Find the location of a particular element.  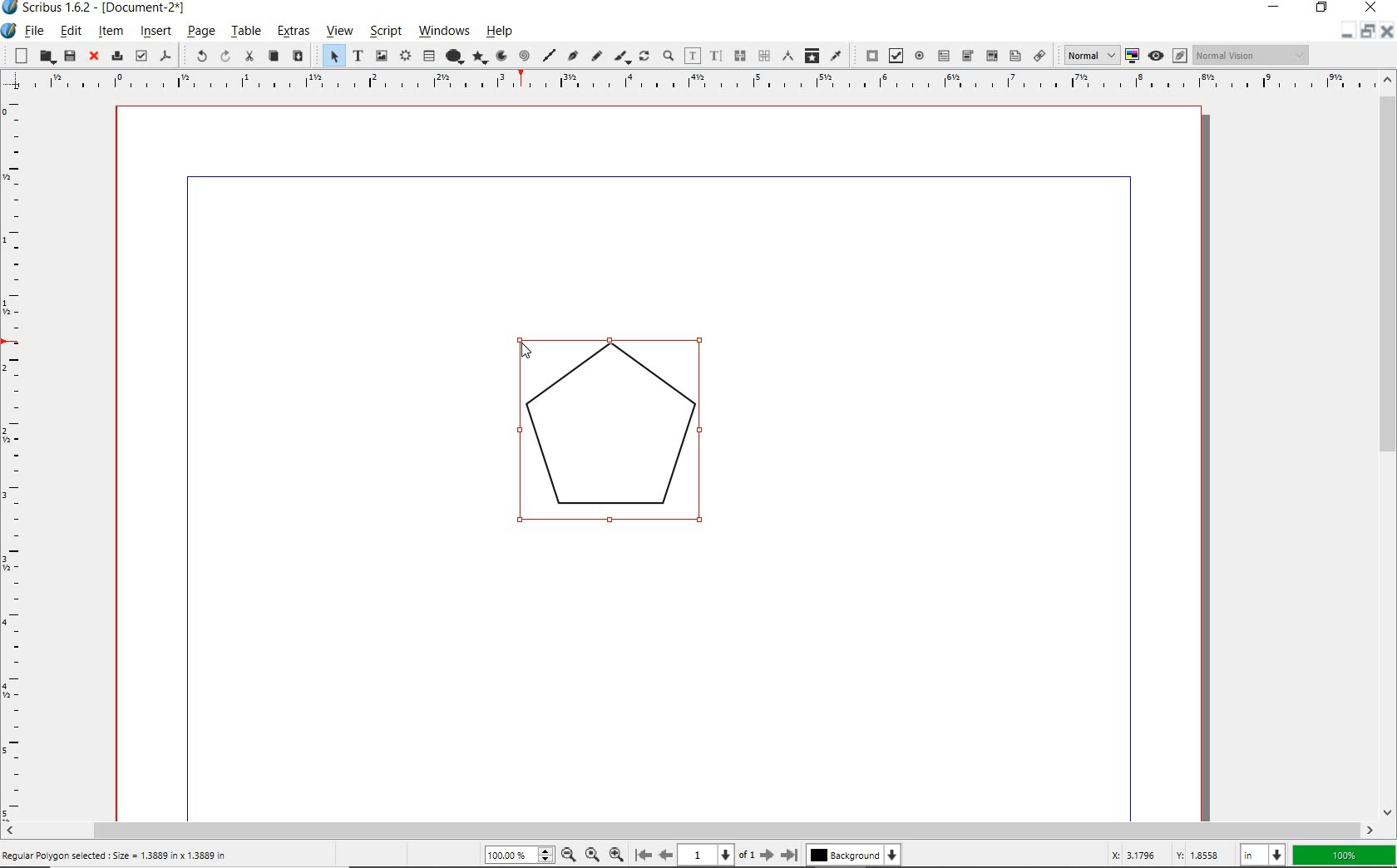

unlink text frames is located at coordinates (763, 55).